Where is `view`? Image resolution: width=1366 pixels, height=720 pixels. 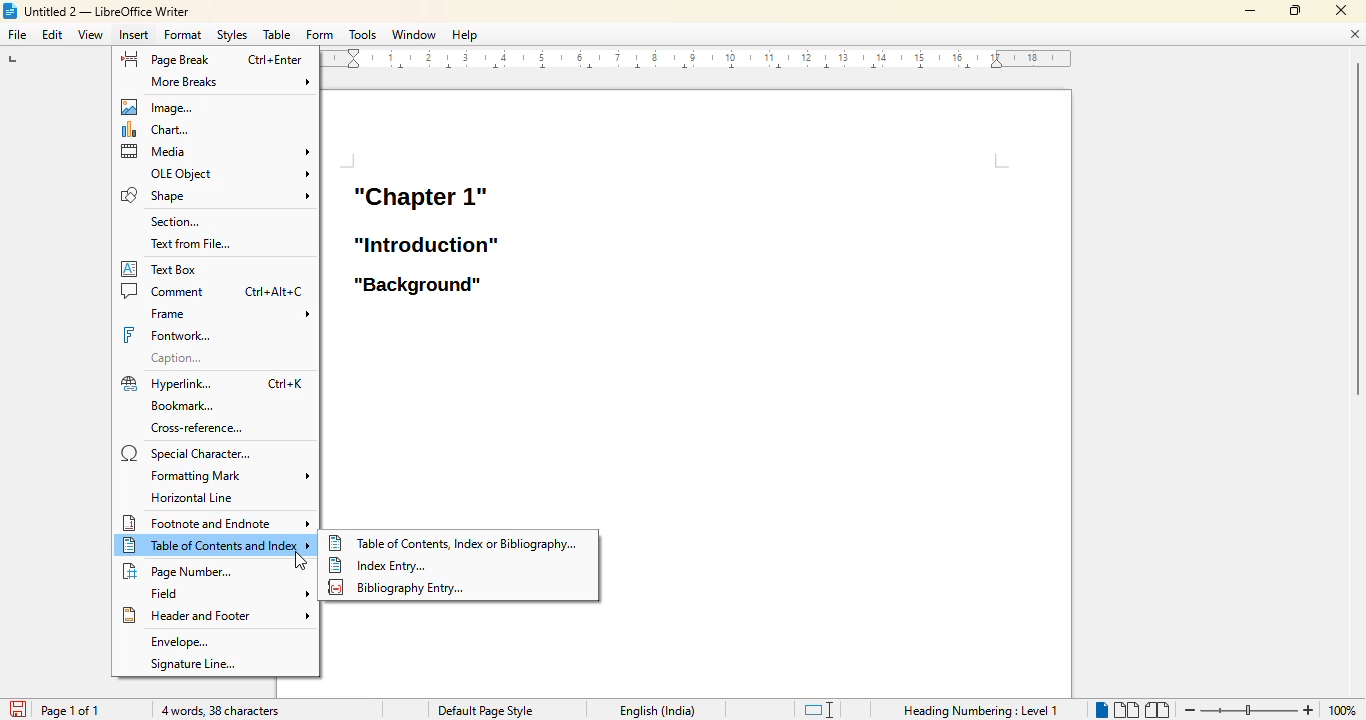
view is located at coordinates (90, 35).